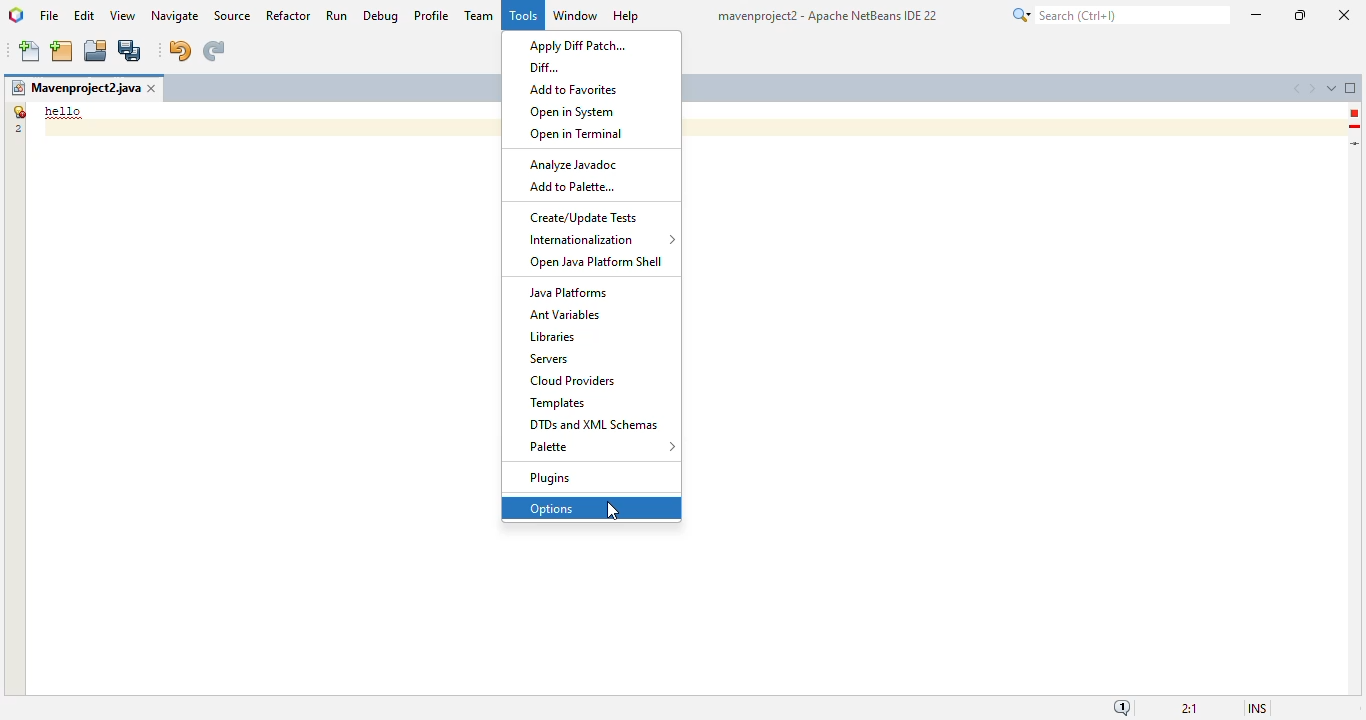 This screenshot has width=1366, height=720. I want to click on debug, so click(382, 16).